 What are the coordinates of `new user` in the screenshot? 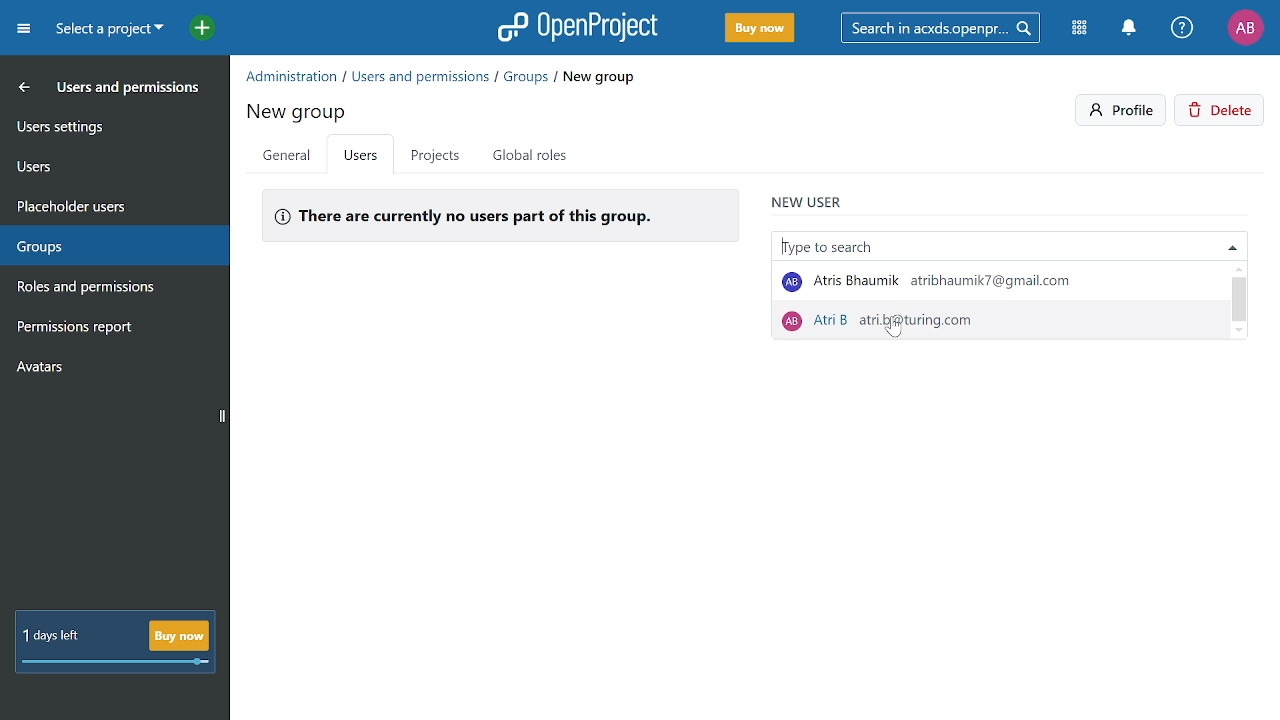 It's located at (807, 199).